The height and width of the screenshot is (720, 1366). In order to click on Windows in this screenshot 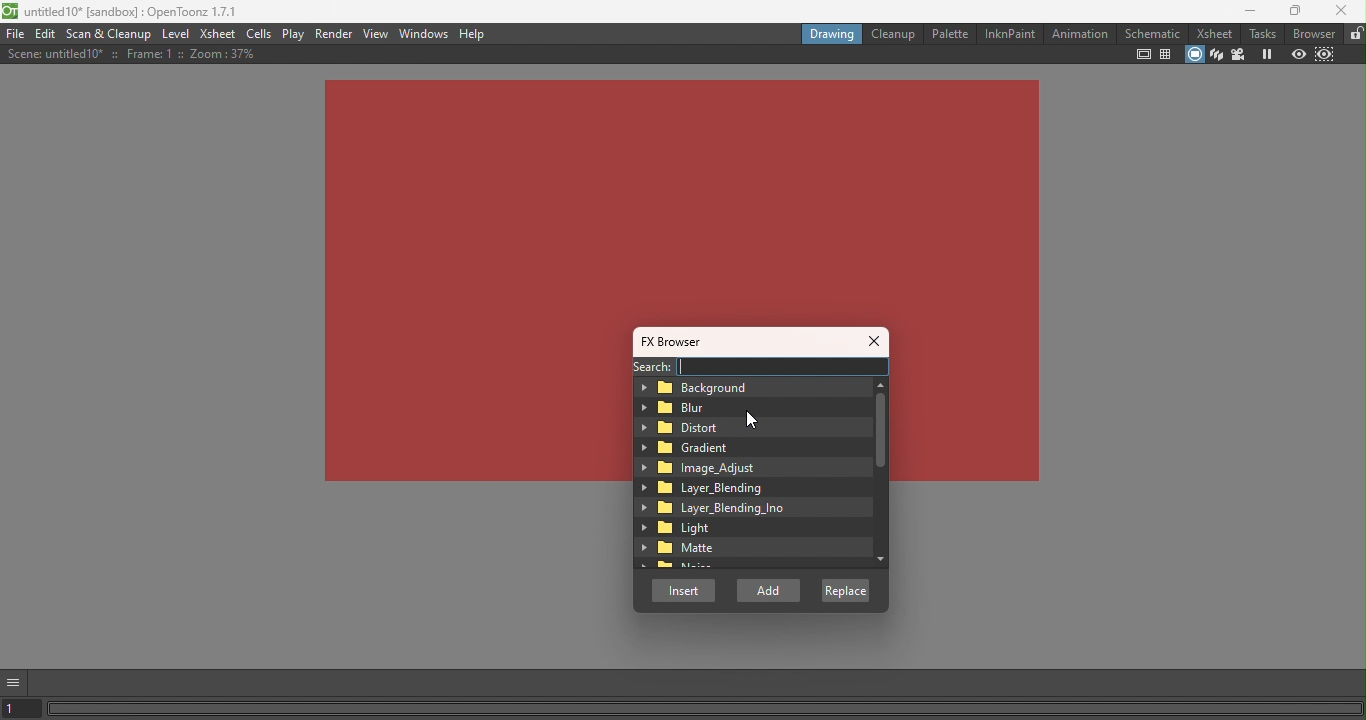, I will do `click(426, 33)`.